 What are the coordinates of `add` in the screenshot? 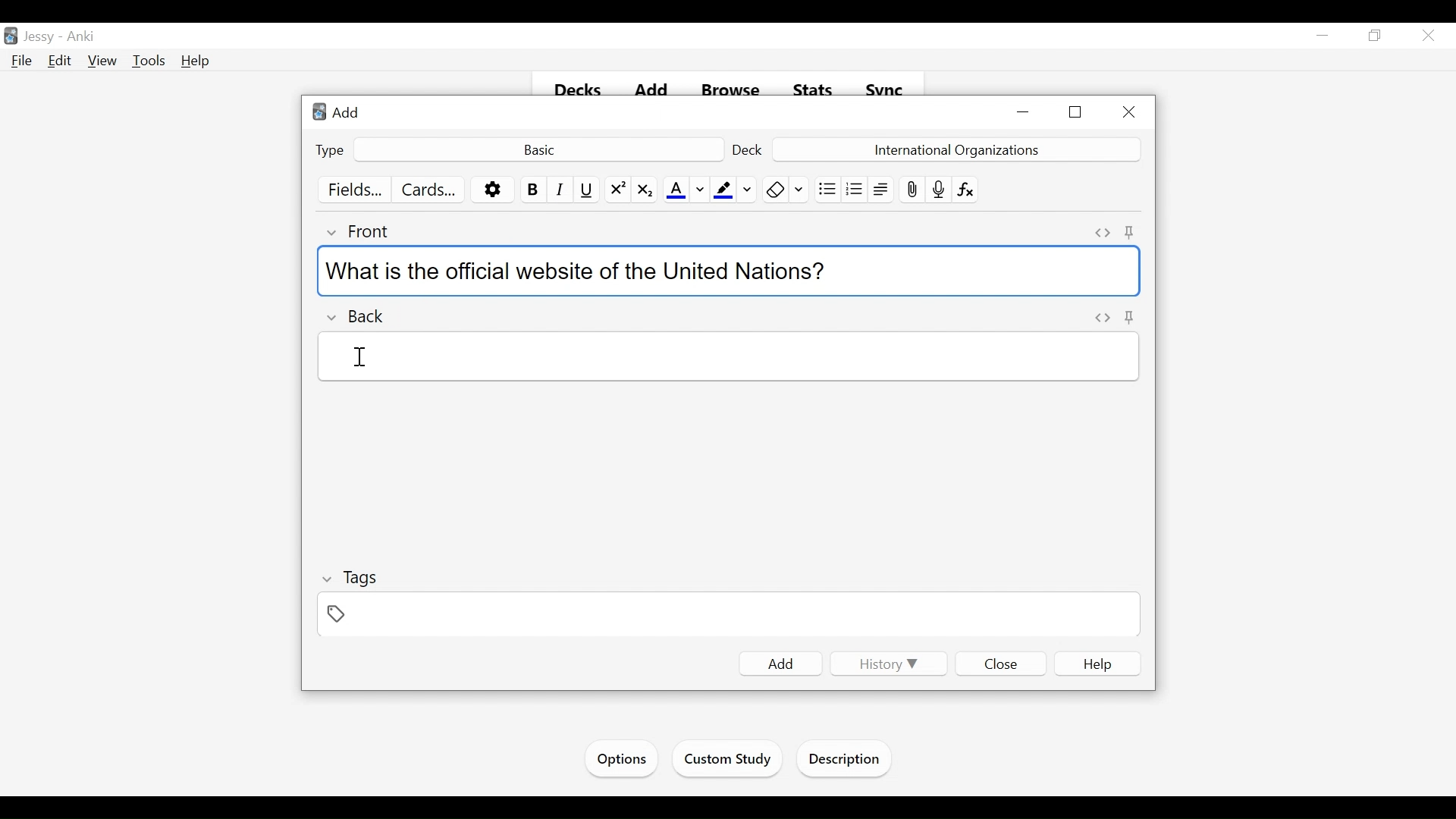 It's located at (645, 83).